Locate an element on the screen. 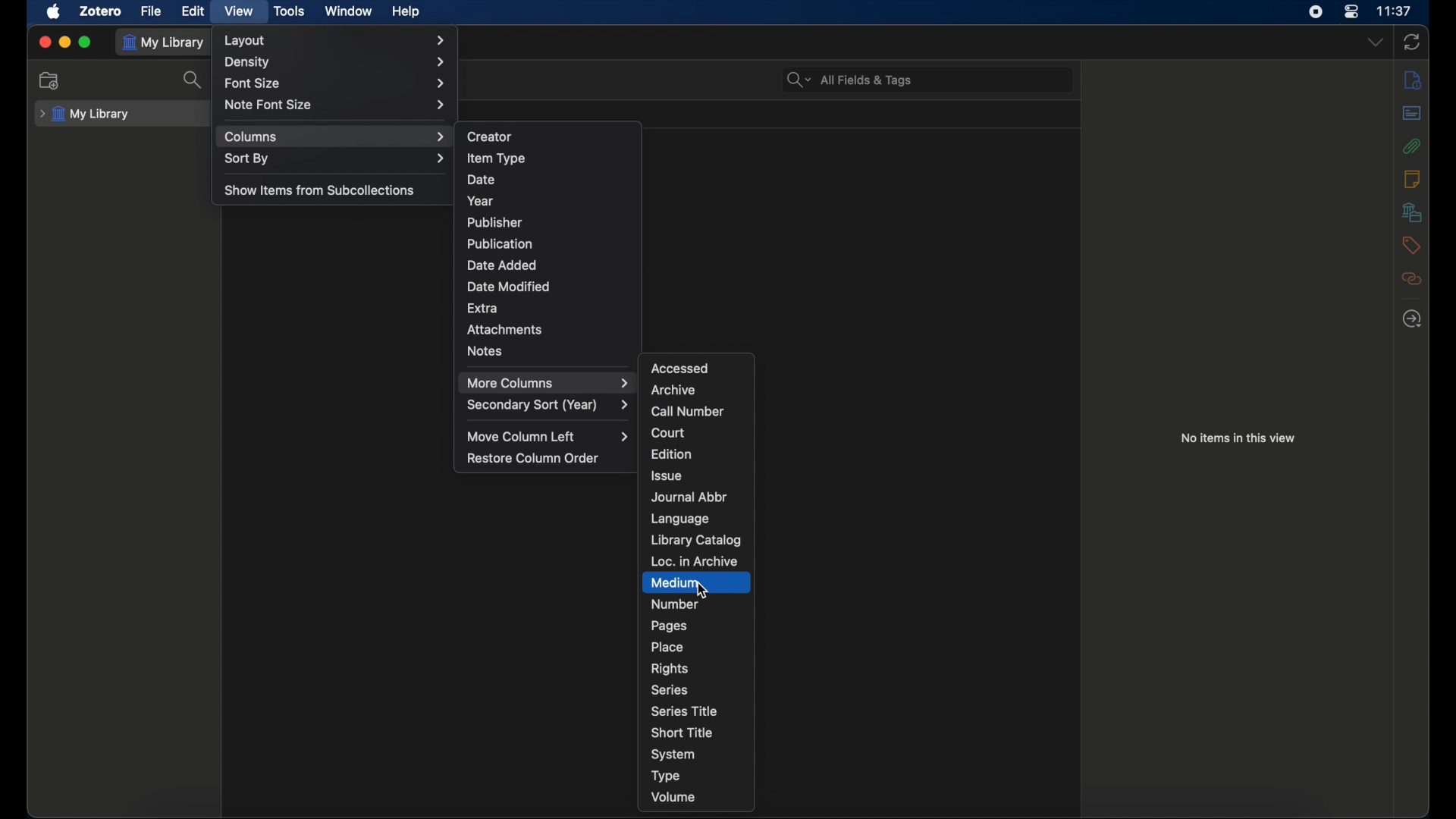 This screenshot has width=1456, height=819. density is located at coordinates (335, 61).